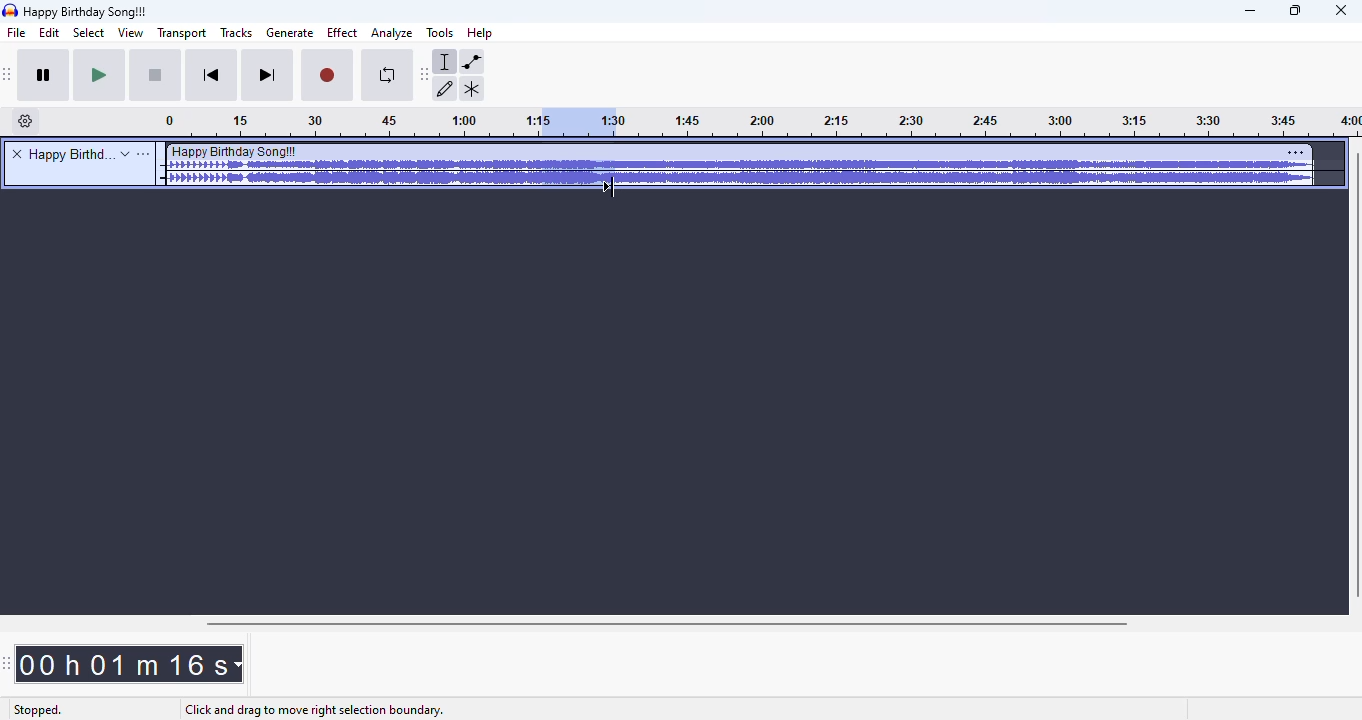 Image resolution: width=1362 pixels, height=720 pixels. Describe the element at coordinates (290, 33) in the screenshot. I see `generate` at that location.